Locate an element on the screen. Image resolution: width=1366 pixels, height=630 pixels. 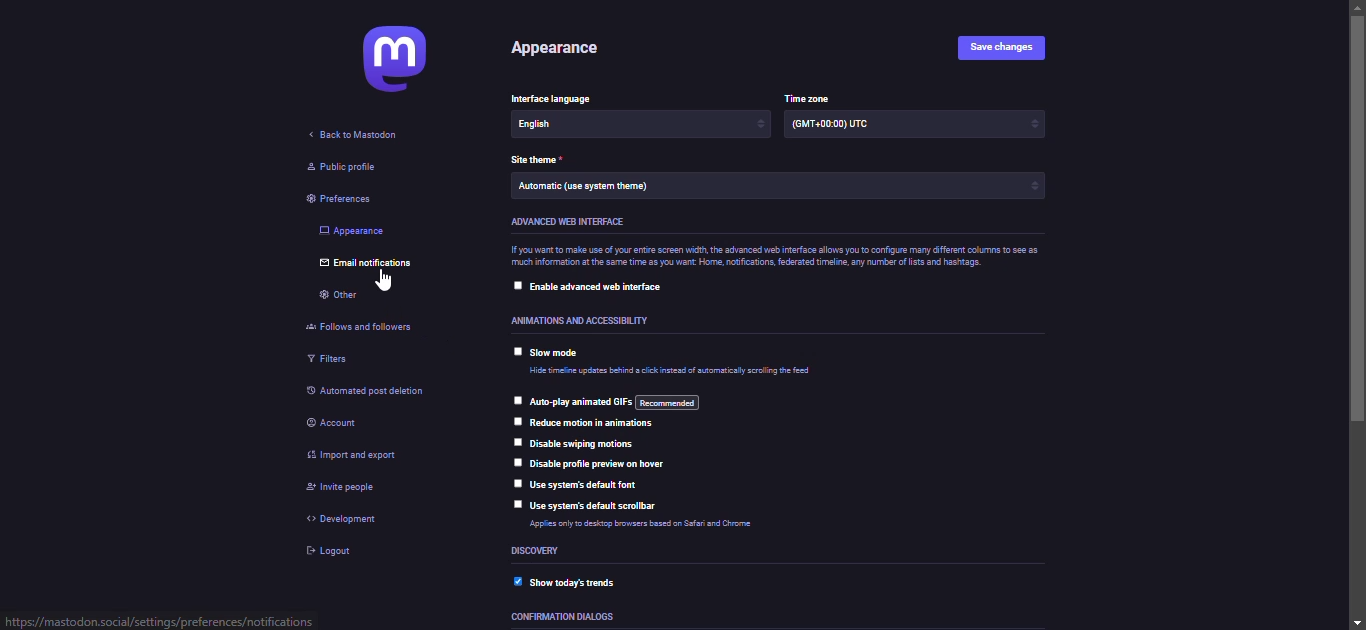
appearance is located at coordinates (357, 232).